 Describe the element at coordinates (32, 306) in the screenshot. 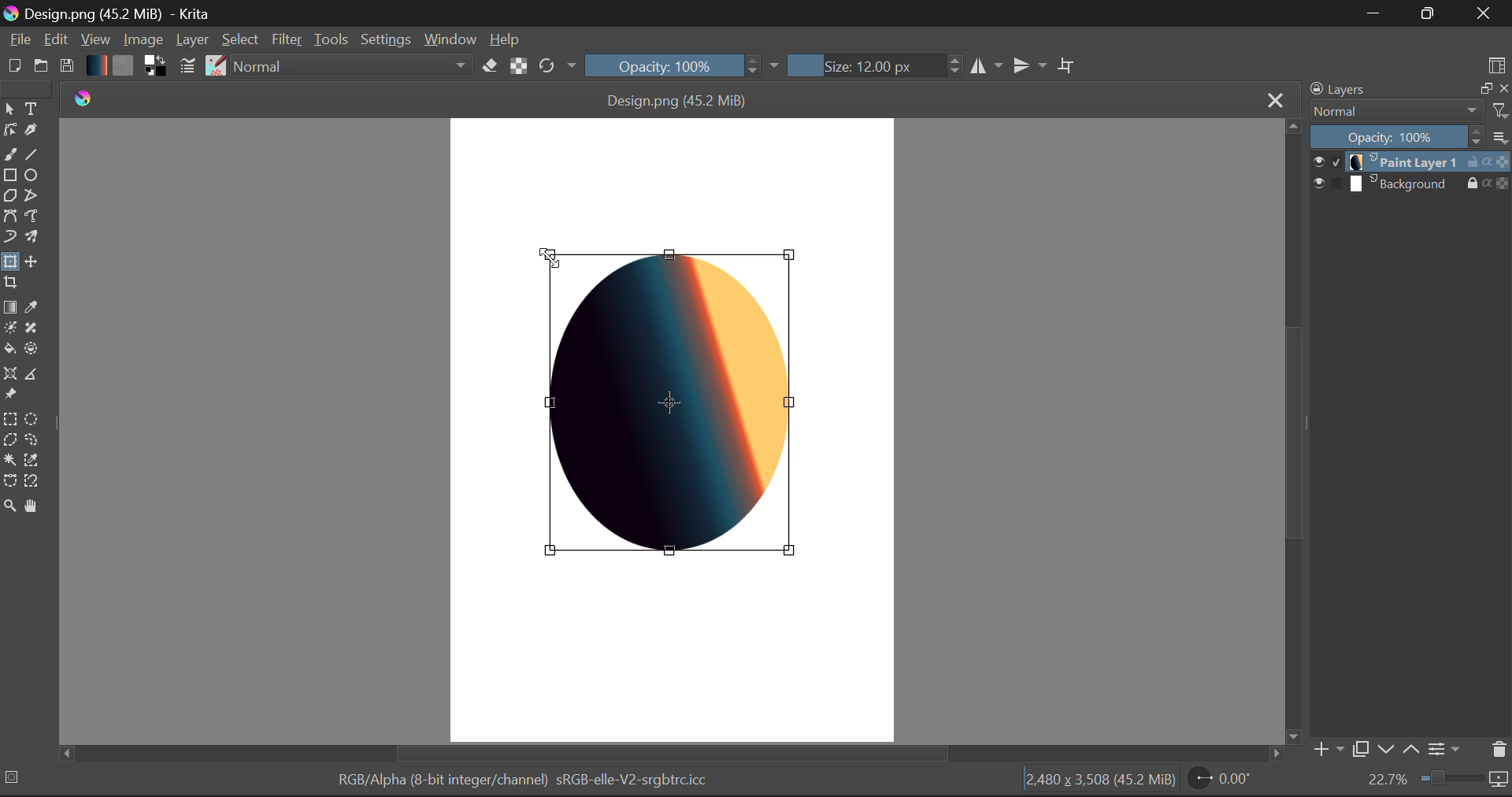

I see `Eyedropper` at that location.